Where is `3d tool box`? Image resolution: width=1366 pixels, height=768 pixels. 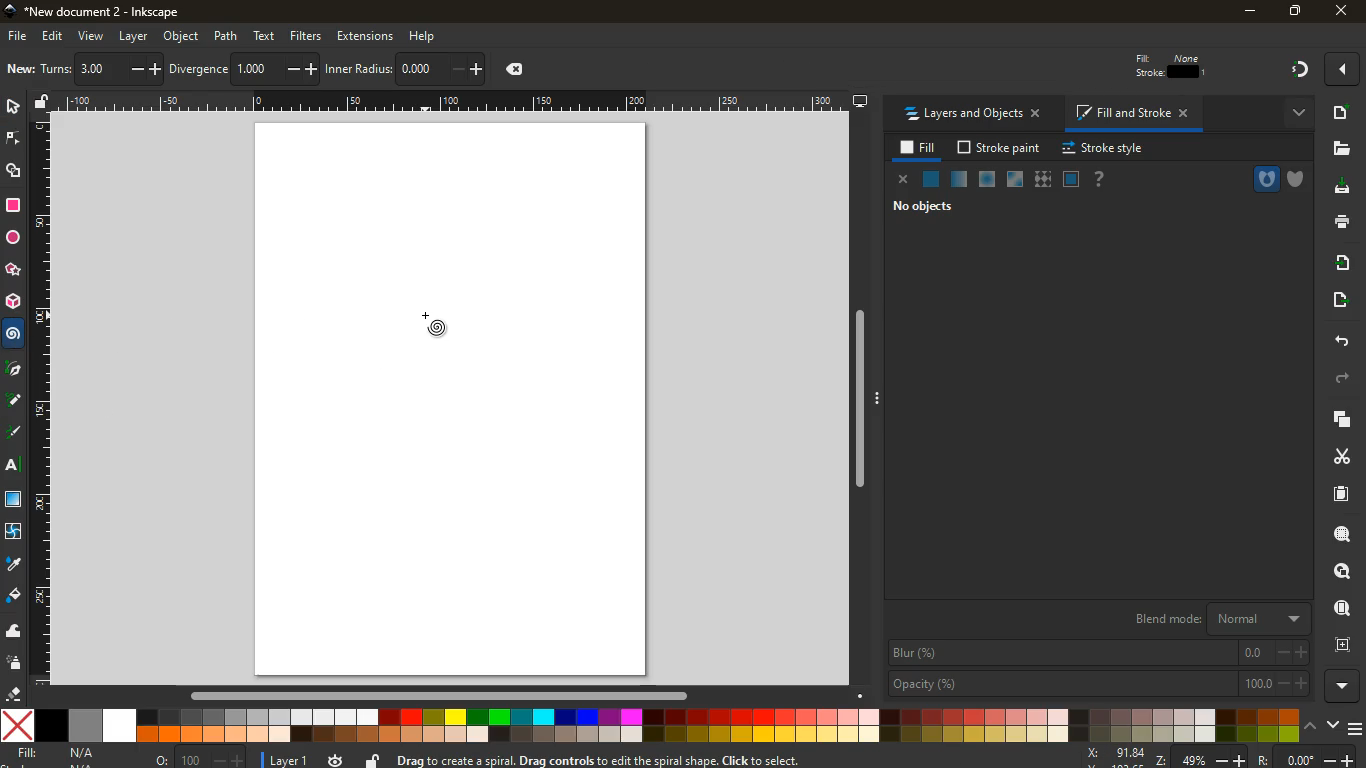 3d tool box is located at coordinates (13, 301).